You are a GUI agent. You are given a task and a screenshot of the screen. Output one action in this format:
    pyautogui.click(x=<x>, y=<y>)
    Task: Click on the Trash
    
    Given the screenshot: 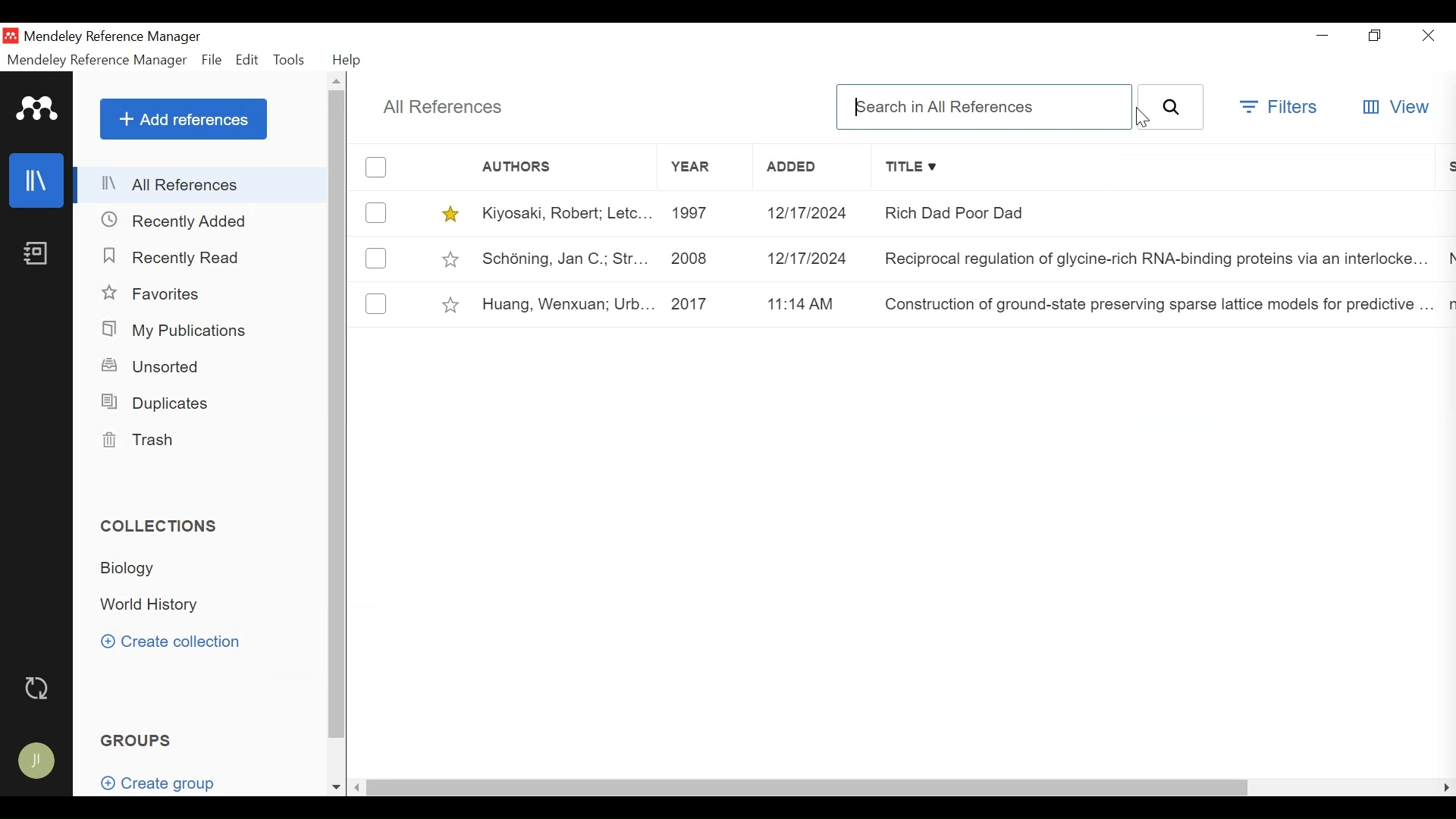 What is the action you would take?
    pyautogui.click(x=143, y=440)
    